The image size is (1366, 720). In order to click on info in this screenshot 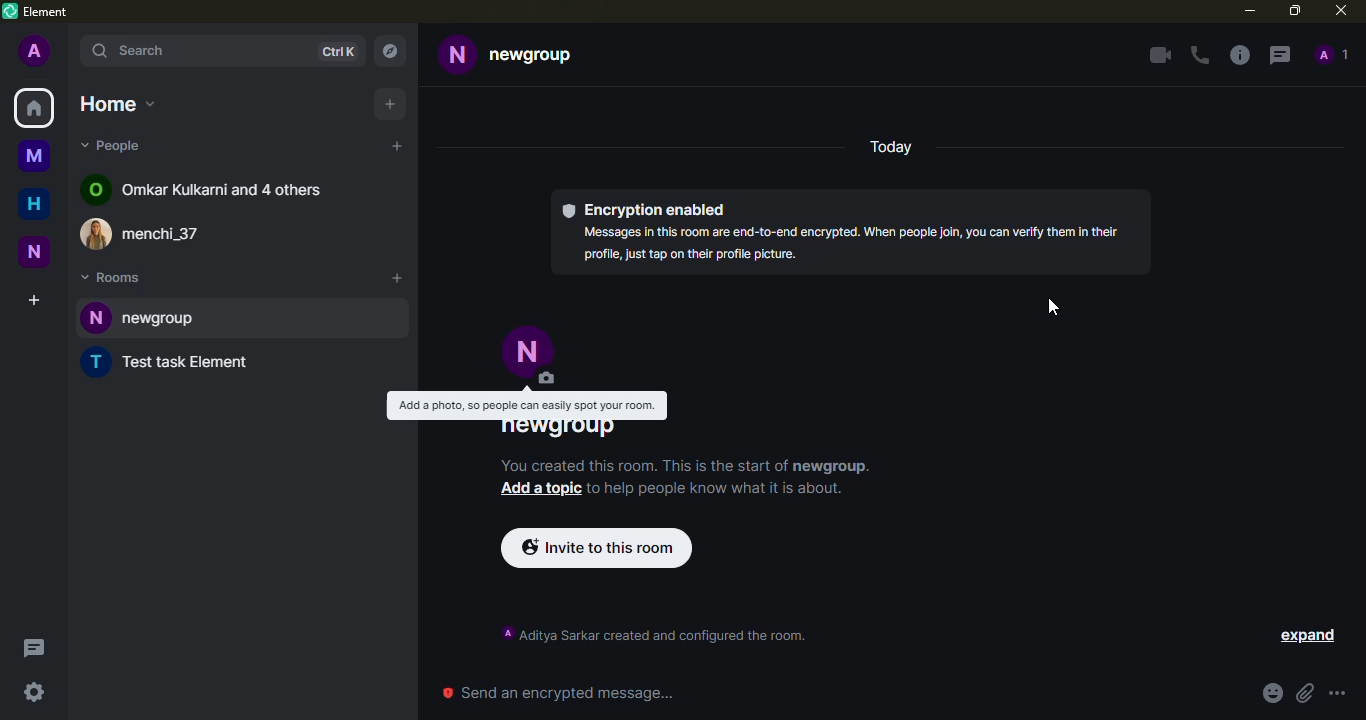, I will do `click(1240, 55)`.